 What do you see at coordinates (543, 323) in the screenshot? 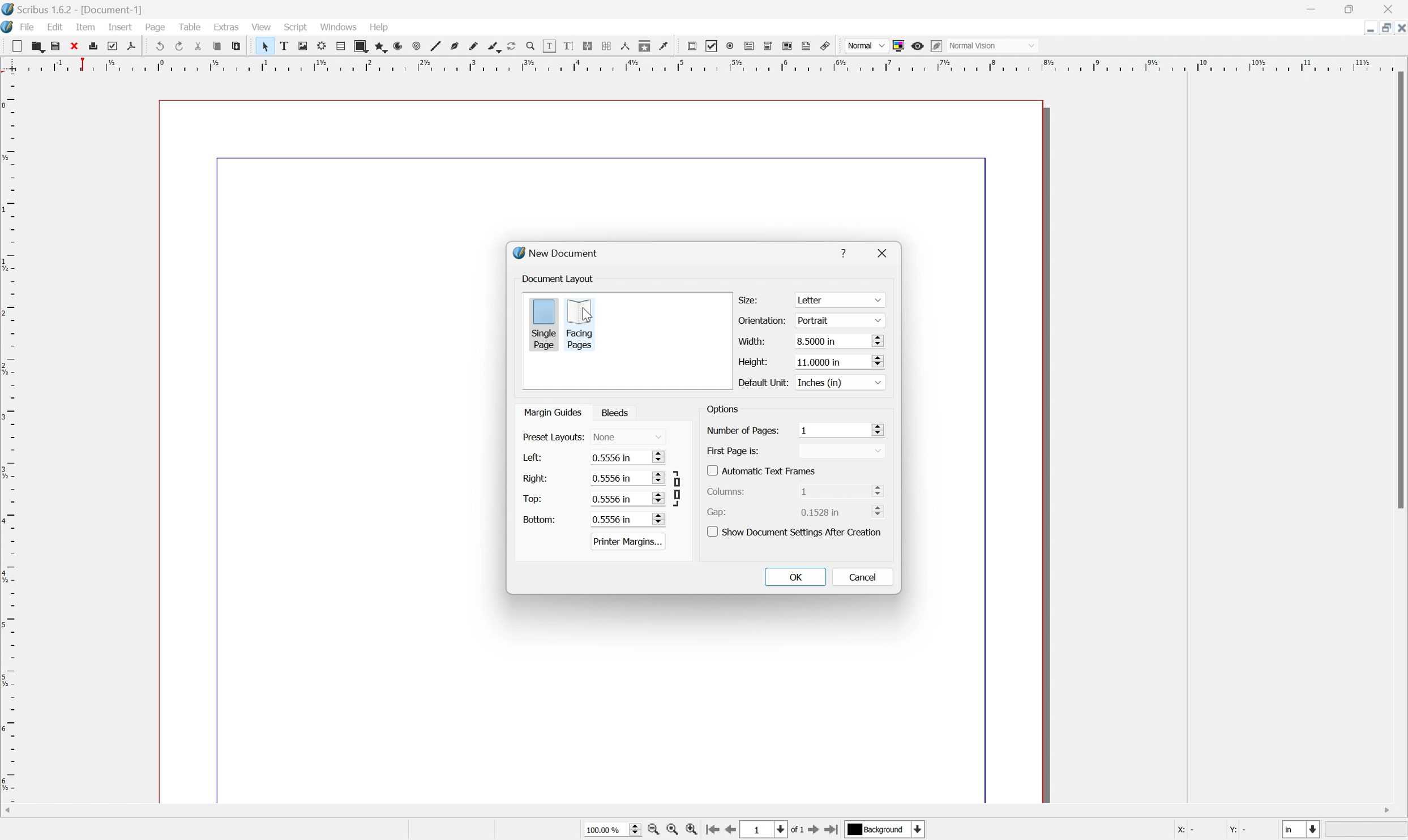
I see `single page` at bounding box center [543, 323].